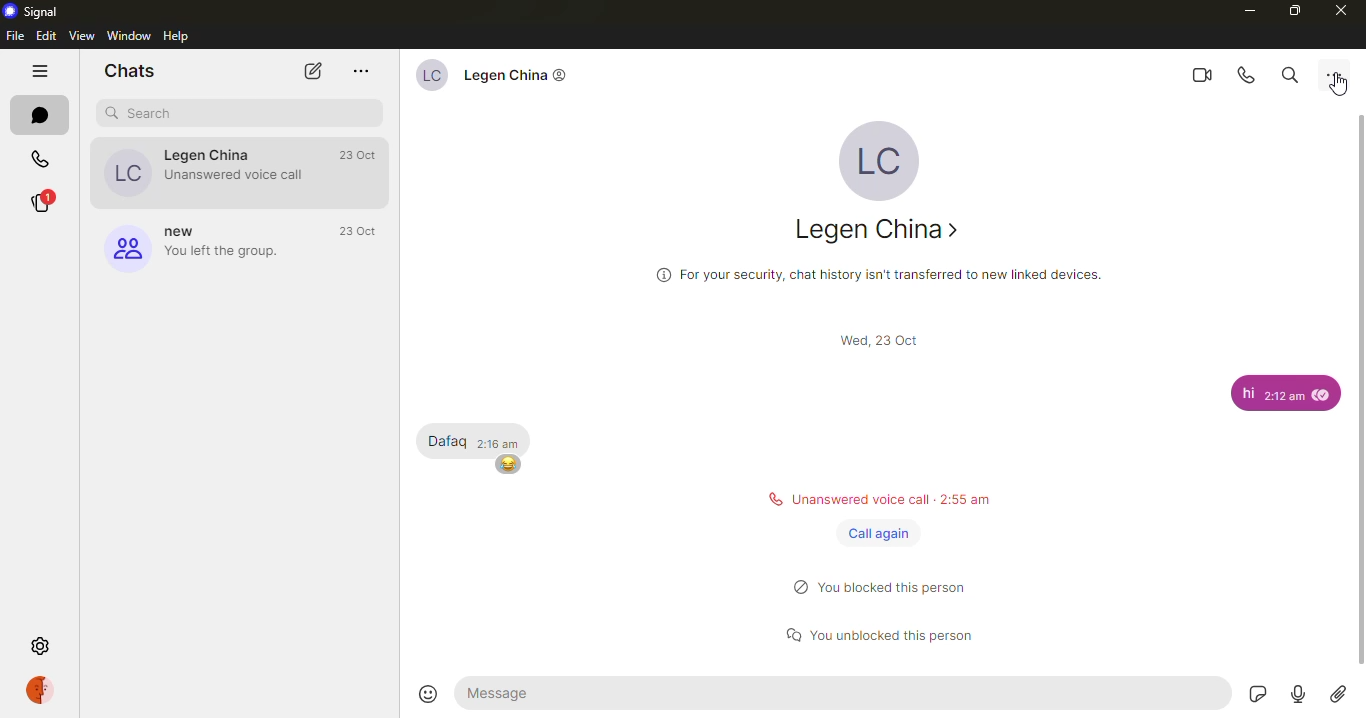  I want to click on contact, so click(204, 171).